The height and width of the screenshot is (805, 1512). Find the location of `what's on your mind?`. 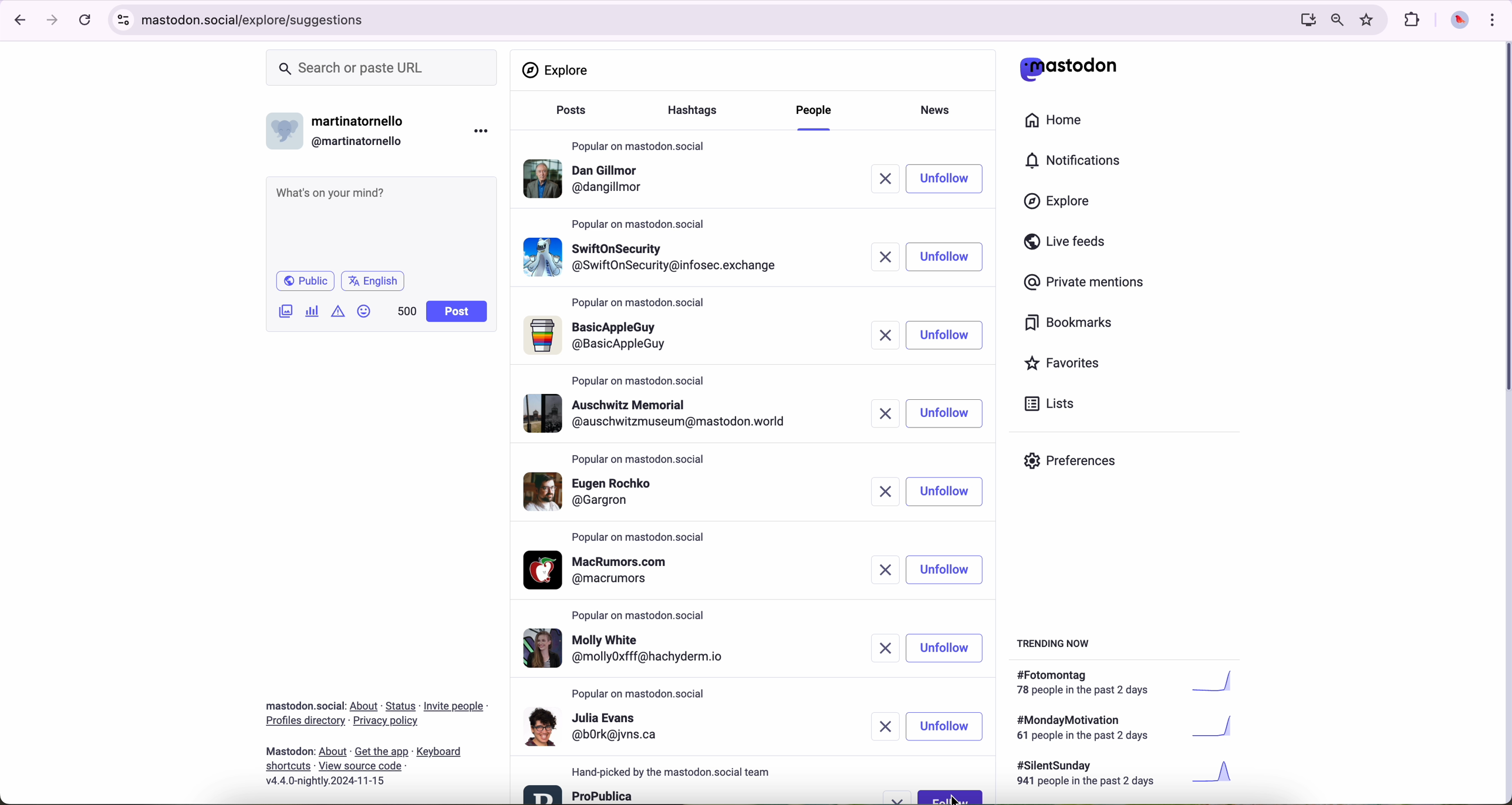

what's on your mind? is located at coordinates (380, 221).